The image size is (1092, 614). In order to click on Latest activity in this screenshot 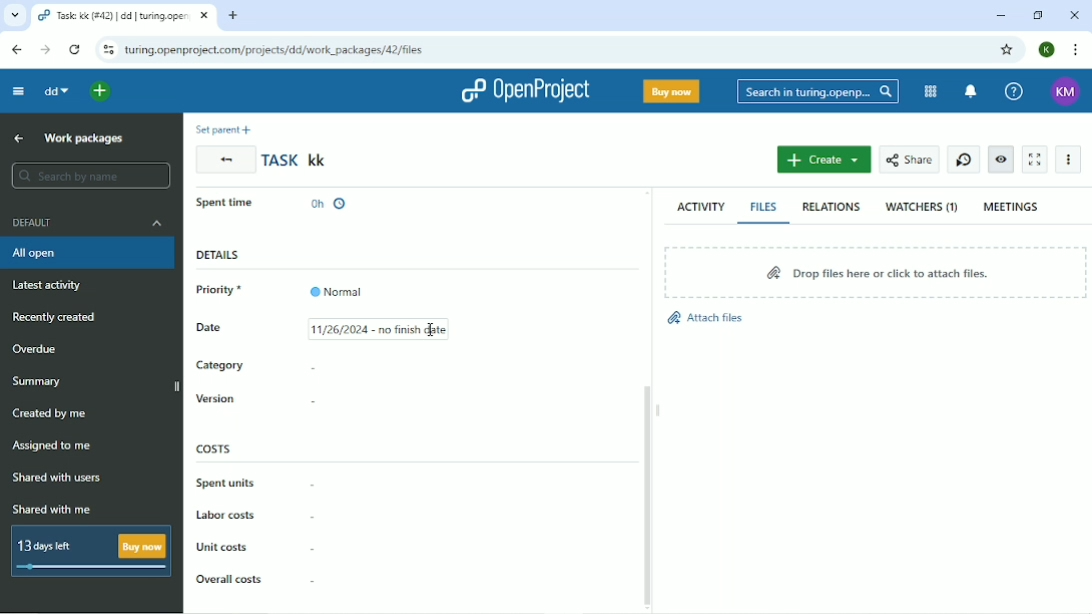, I will do `click(51, 287)`.